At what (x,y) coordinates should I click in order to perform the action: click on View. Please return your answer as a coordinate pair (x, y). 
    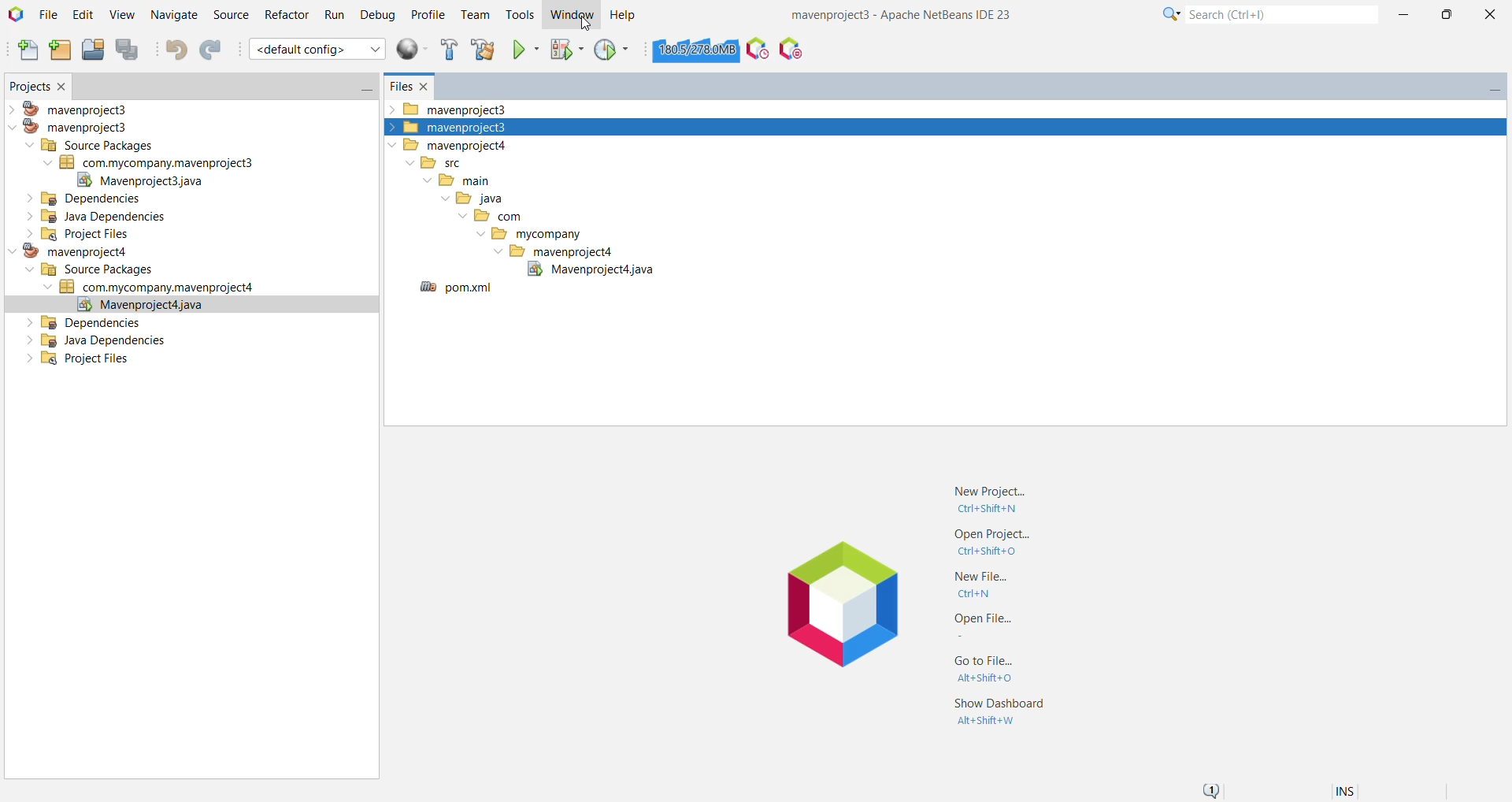
    Looking at the image, I should click on (122, 16).